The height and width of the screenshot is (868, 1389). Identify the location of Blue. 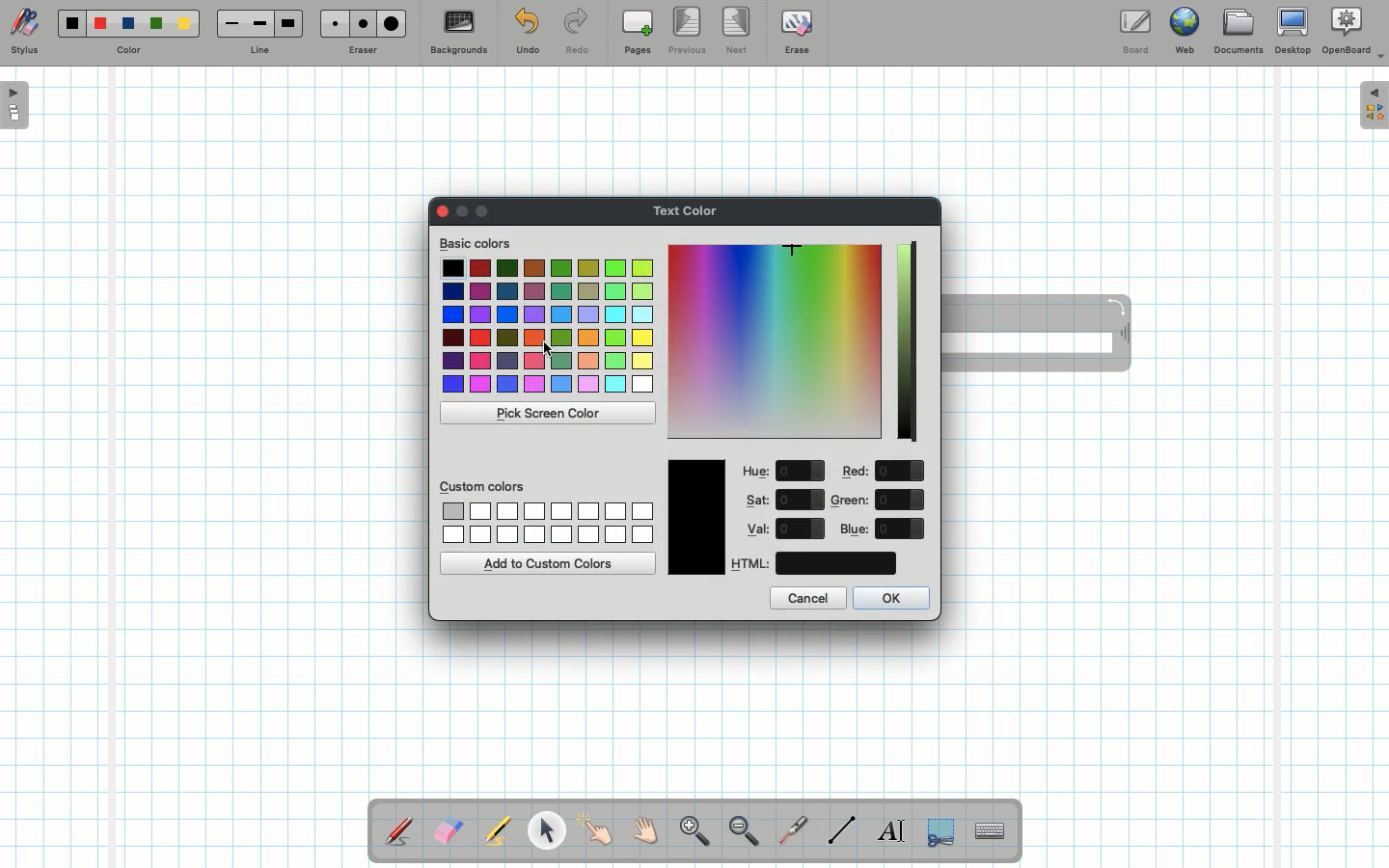
(855, 529).